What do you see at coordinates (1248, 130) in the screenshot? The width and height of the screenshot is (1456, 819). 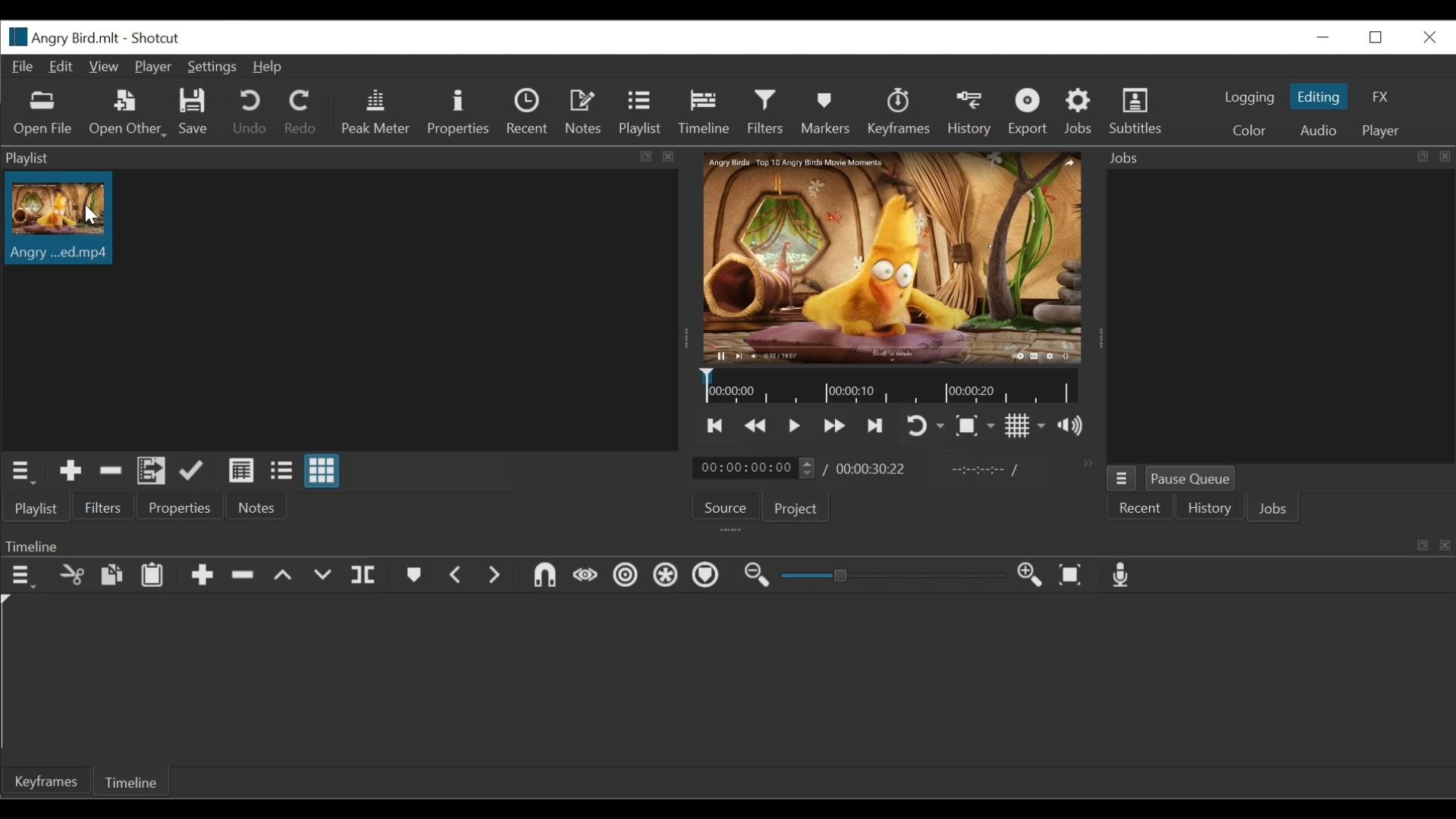 I see `Color` at bounding box center [1248, 130].